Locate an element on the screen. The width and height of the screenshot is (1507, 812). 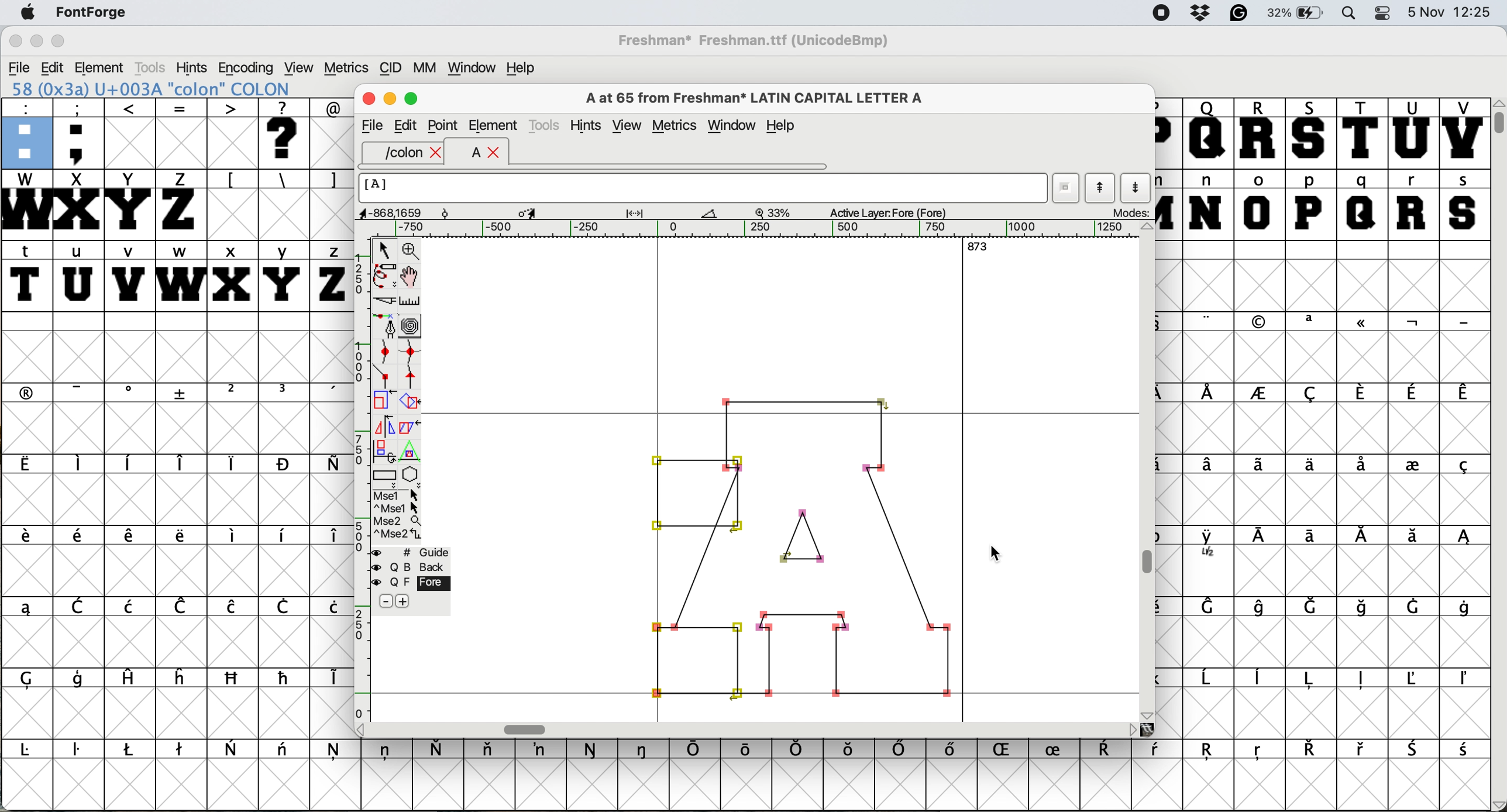
symbol is located at coordinates (329, 393).